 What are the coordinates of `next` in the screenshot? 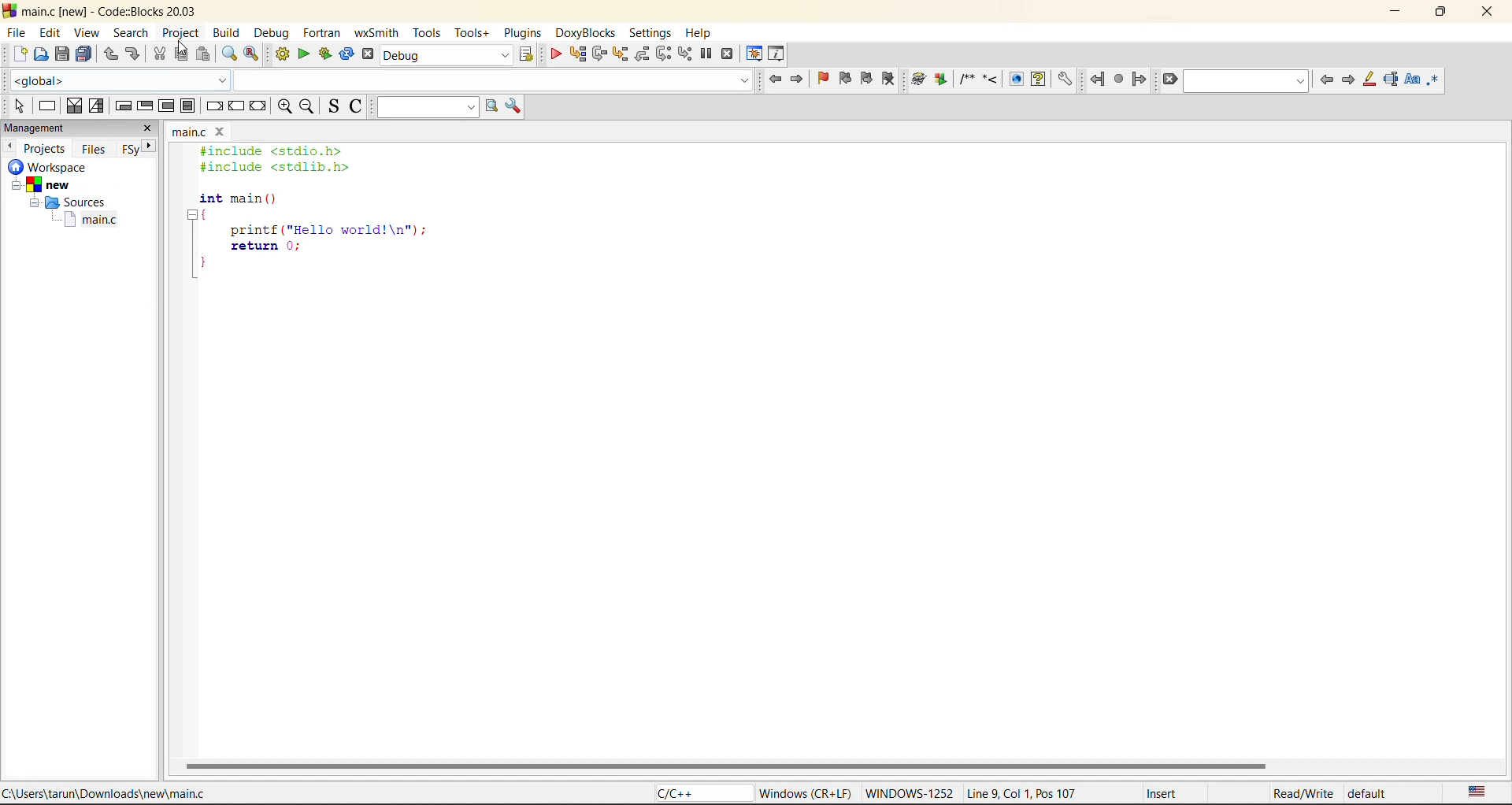 It's located at (151, 146).